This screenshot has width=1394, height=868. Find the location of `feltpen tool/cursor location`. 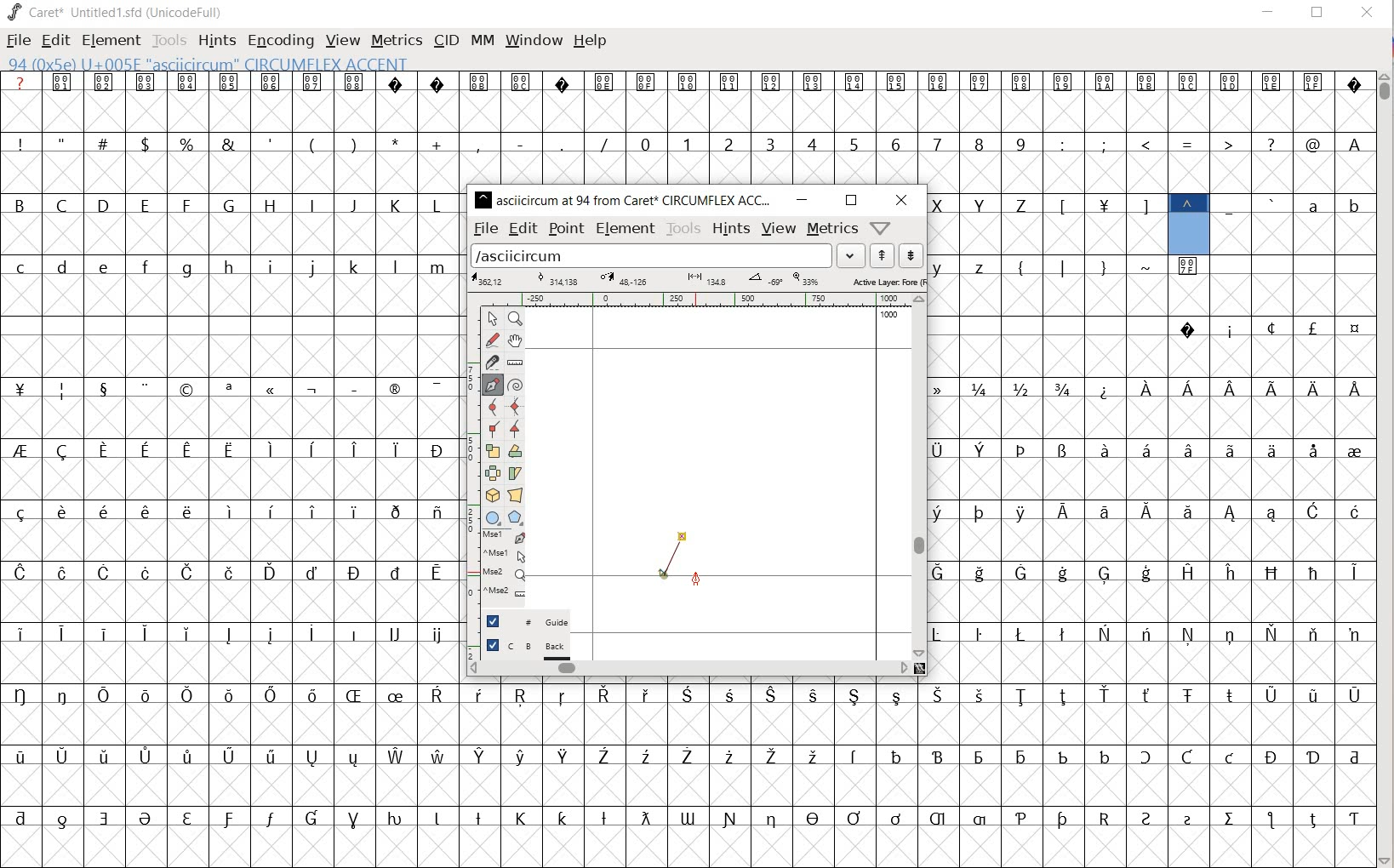

feltpen tool/cursor location is located at coordinates (698, 578).